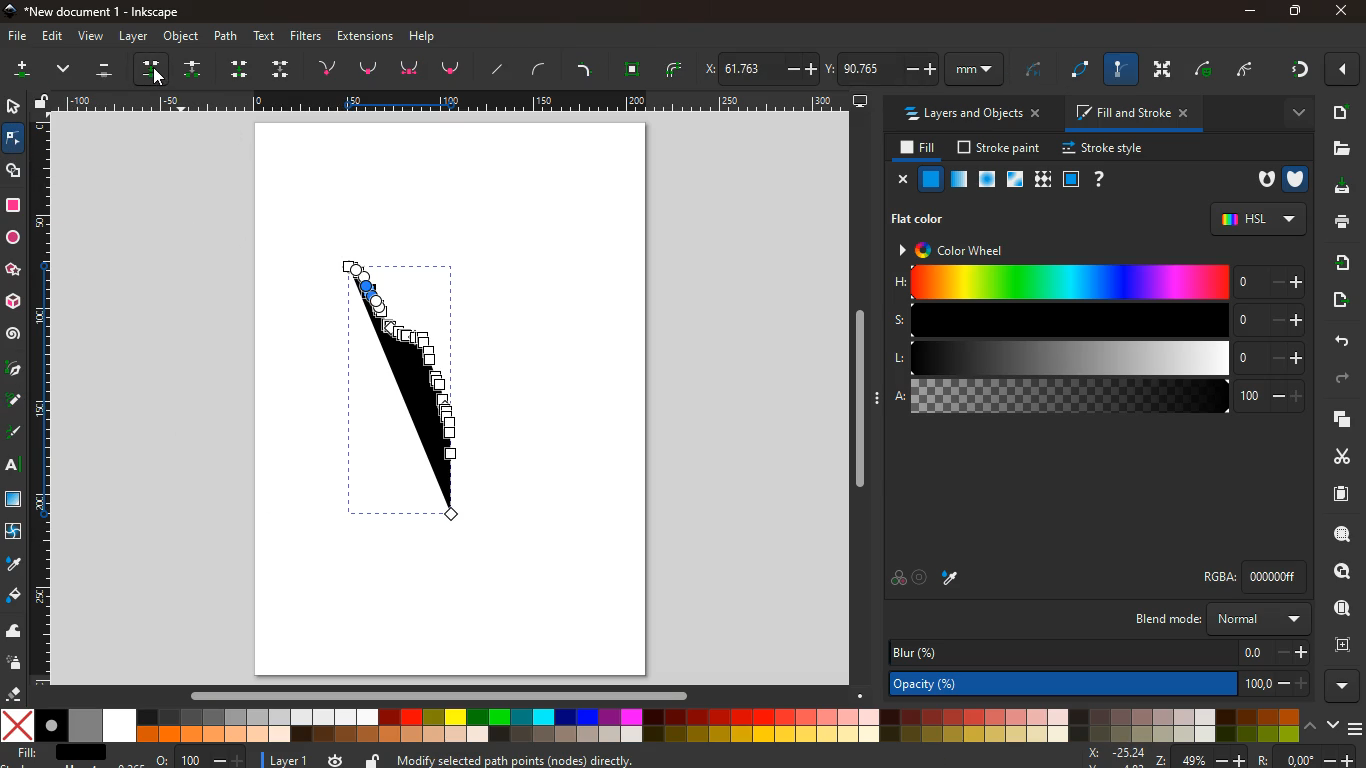  I want to click on layers and objects, so click(970, 113).